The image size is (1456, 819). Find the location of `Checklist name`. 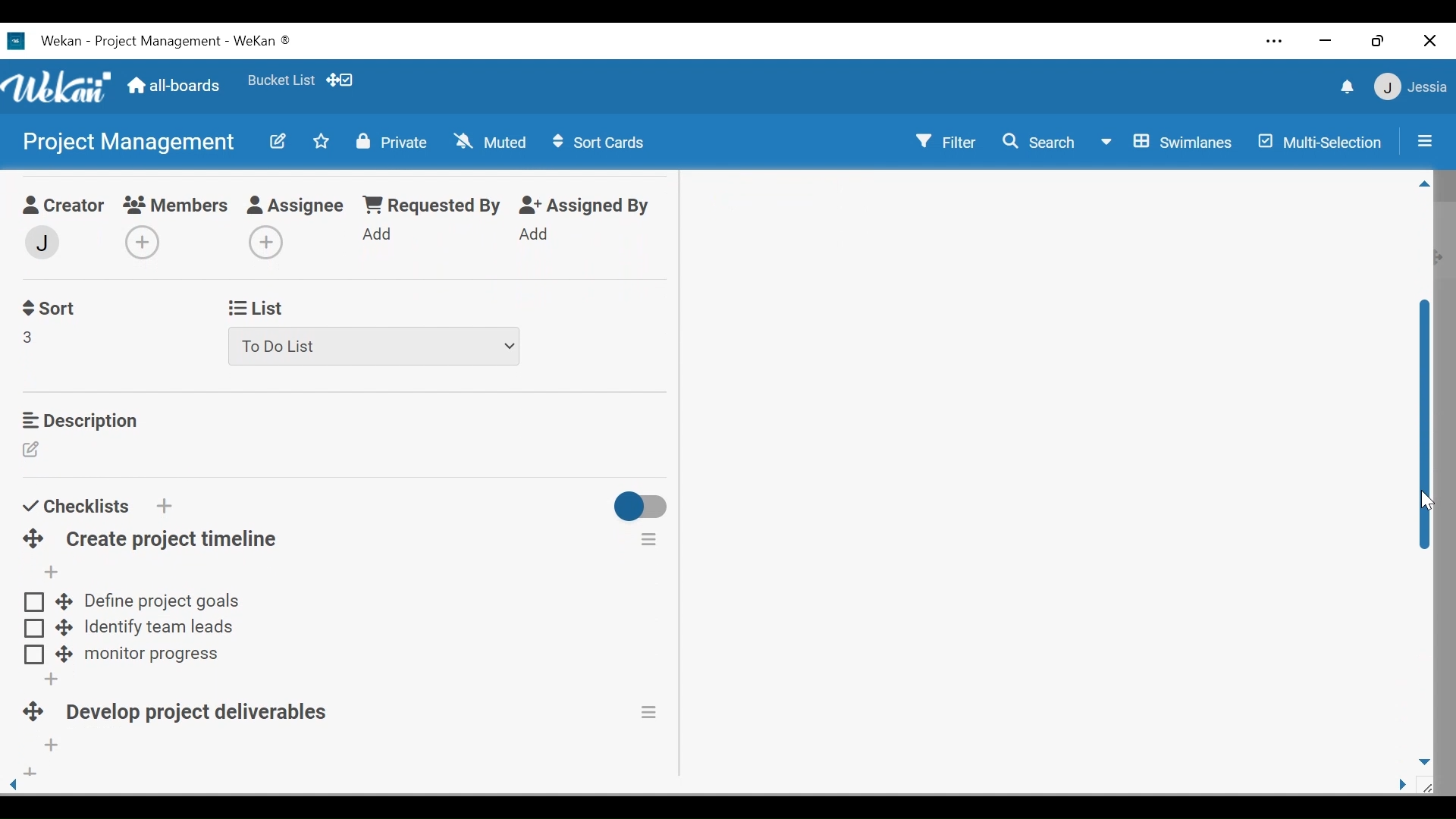

Checklist name is located at coordinates (171, 540).